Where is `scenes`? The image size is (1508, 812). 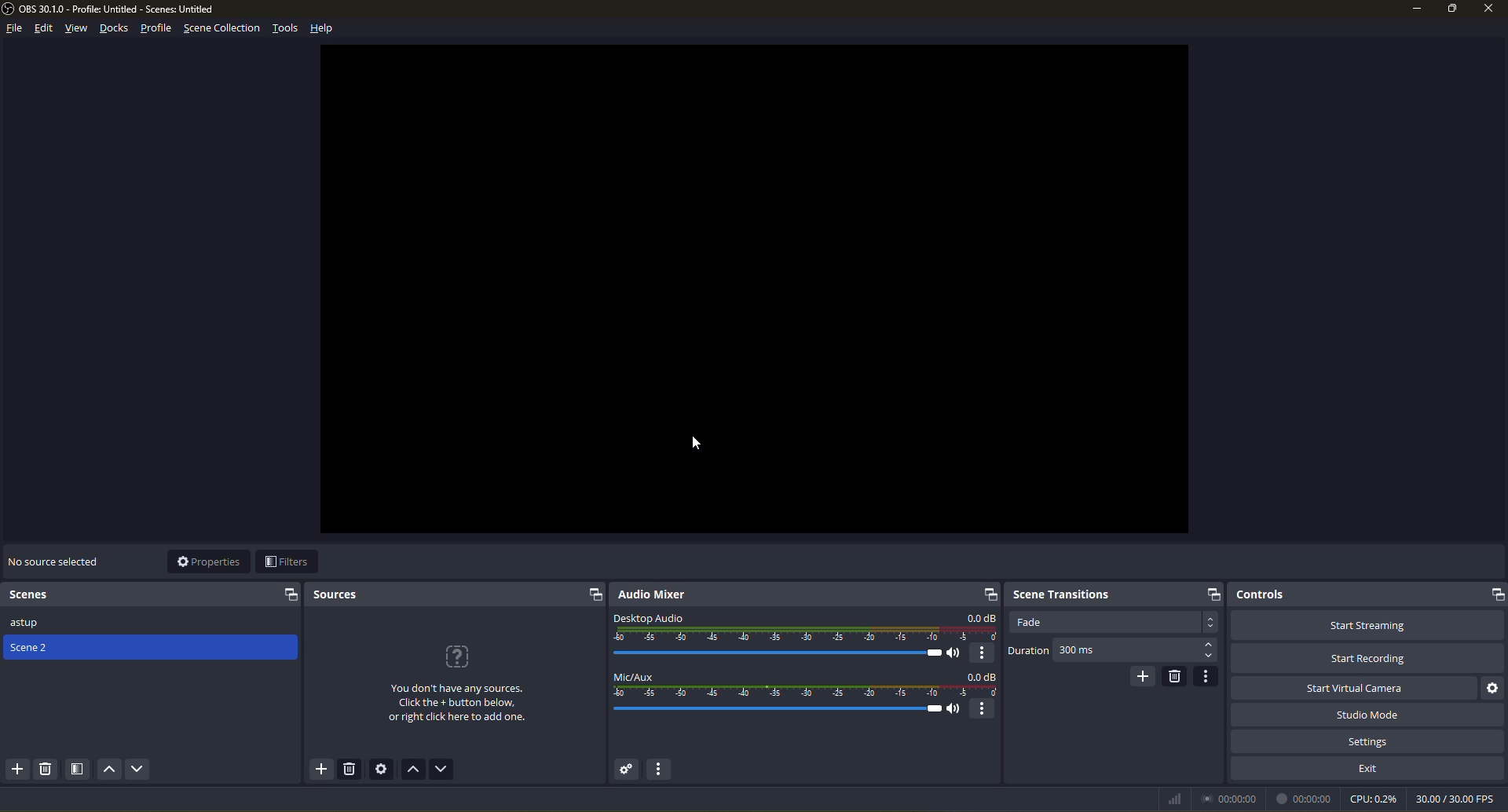 scenes is located at coordinates (31, 594).